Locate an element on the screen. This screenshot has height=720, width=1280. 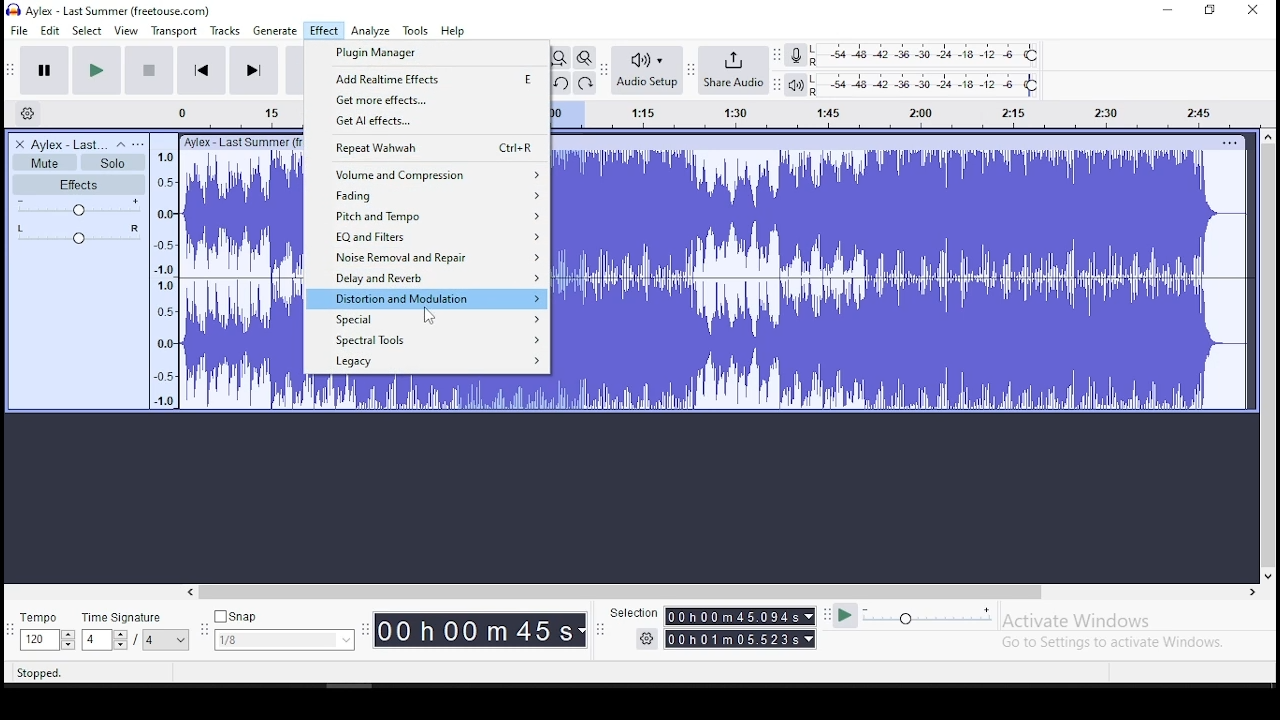
effect is located at coordinates (325, 31).